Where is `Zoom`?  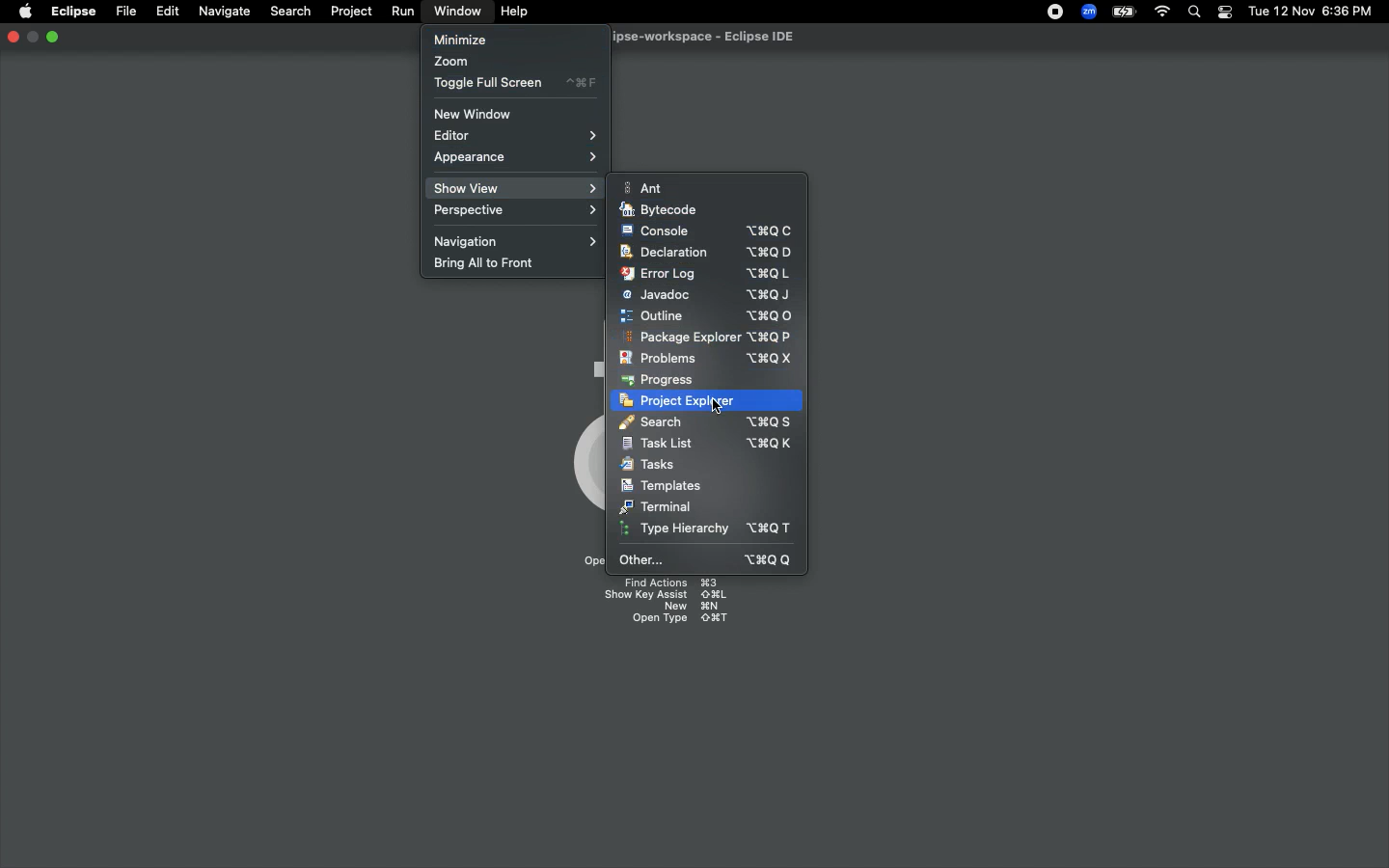 Zoom is located at coordinates (1090, 12).